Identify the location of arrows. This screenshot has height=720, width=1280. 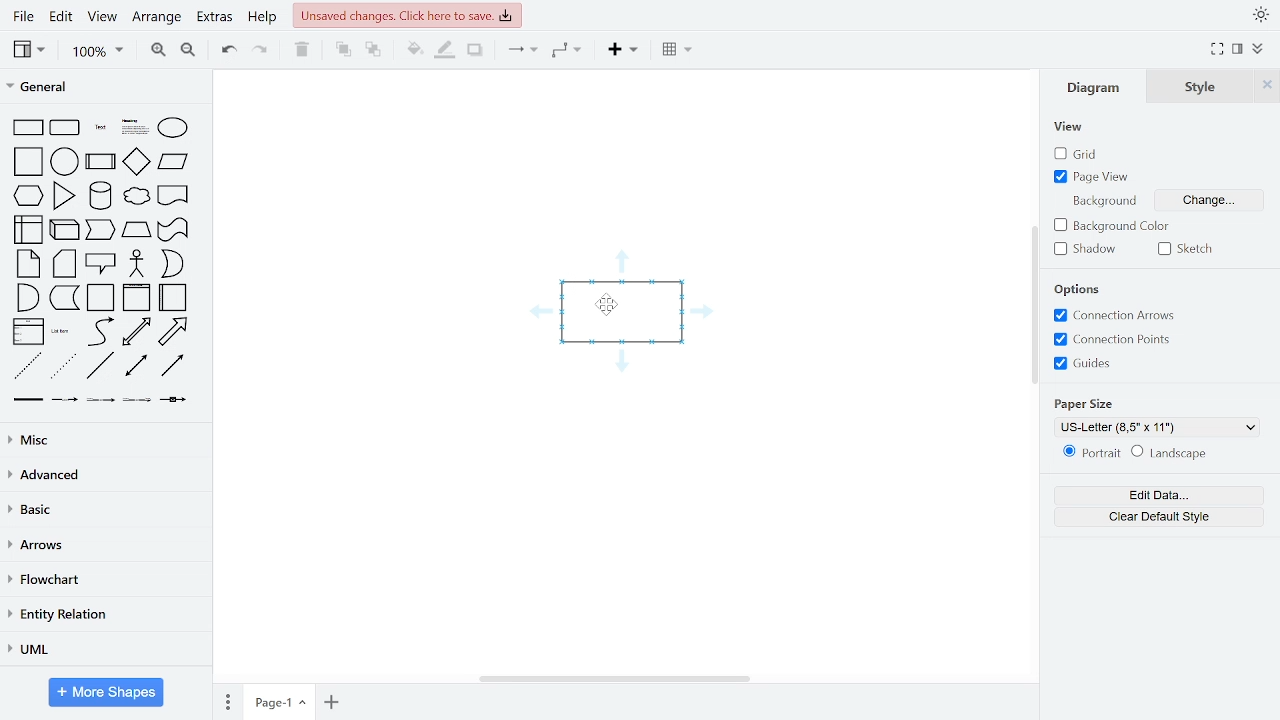
(105, 549).